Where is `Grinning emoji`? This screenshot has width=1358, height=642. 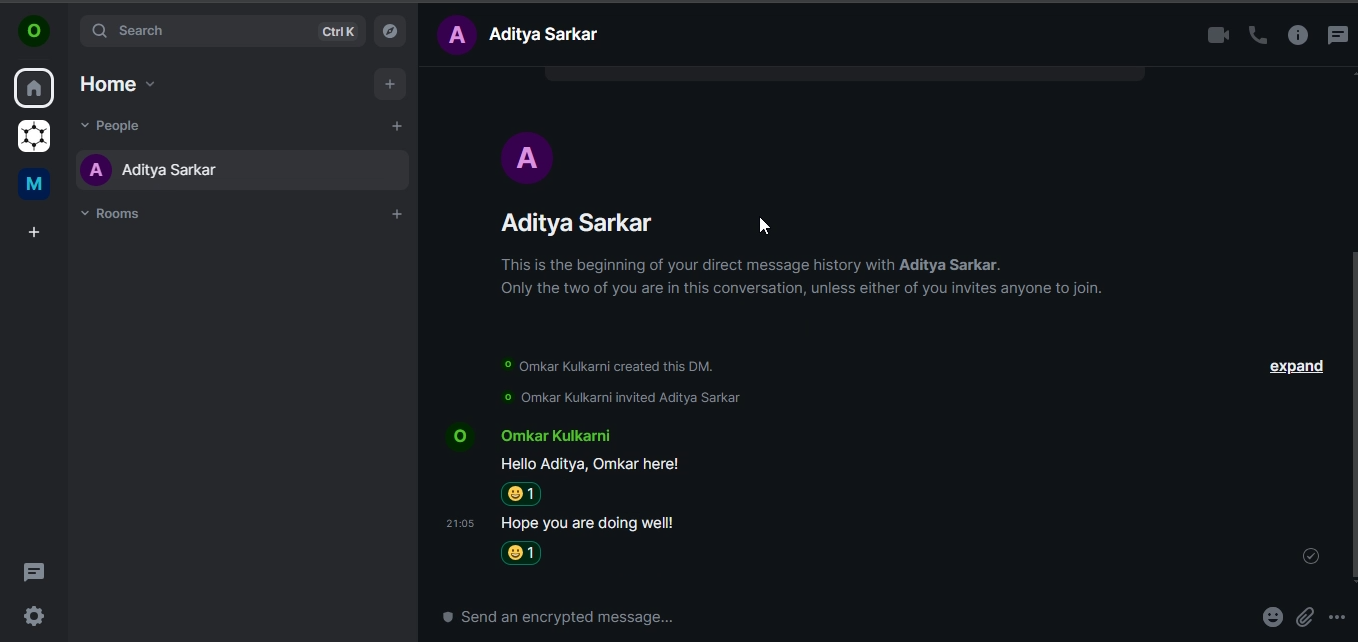
Grinning emoji is located at coordinates (523, 554).